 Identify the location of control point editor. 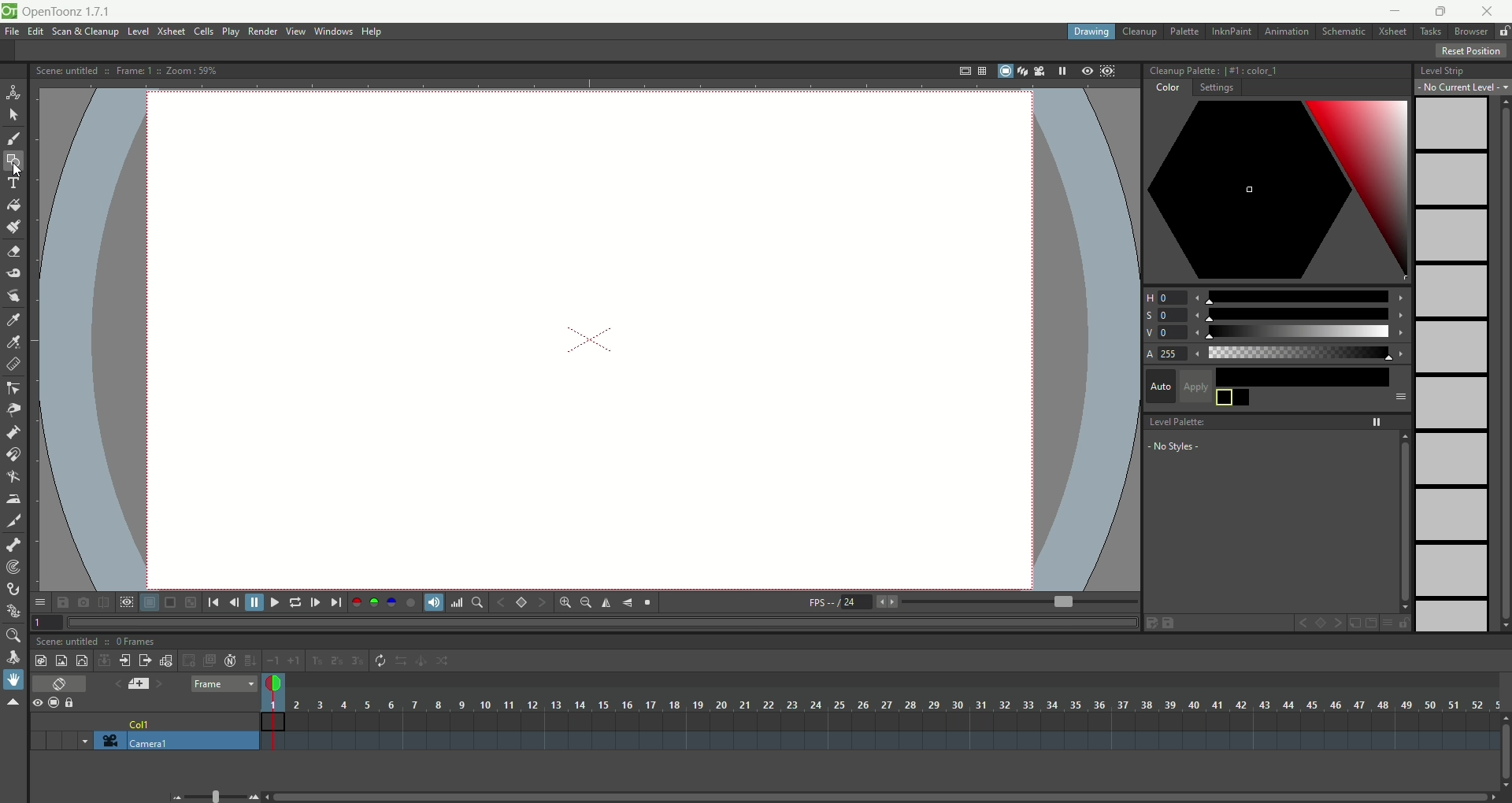
(14, 390).